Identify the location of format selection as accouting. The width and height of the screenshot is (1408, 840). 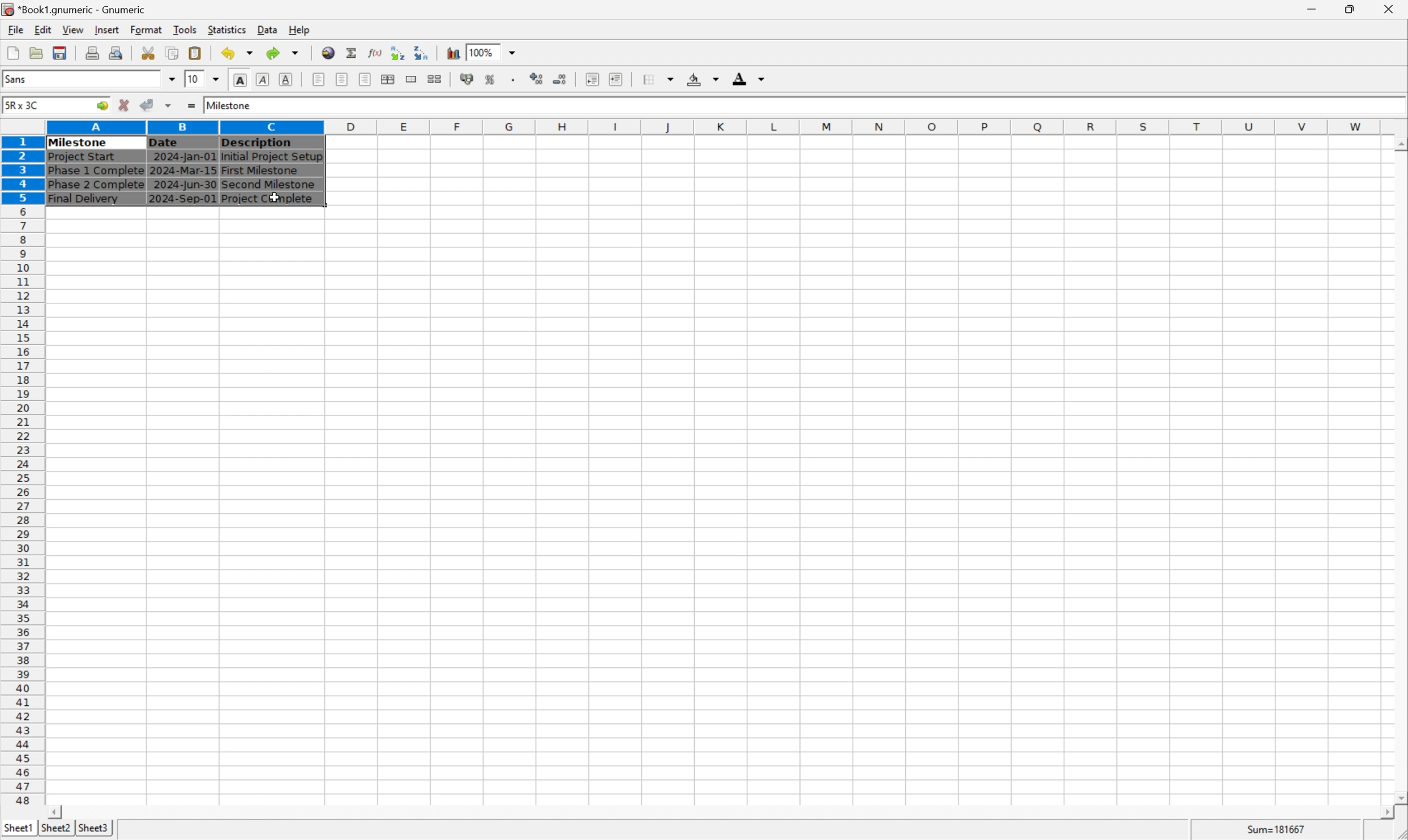
(468, 79).